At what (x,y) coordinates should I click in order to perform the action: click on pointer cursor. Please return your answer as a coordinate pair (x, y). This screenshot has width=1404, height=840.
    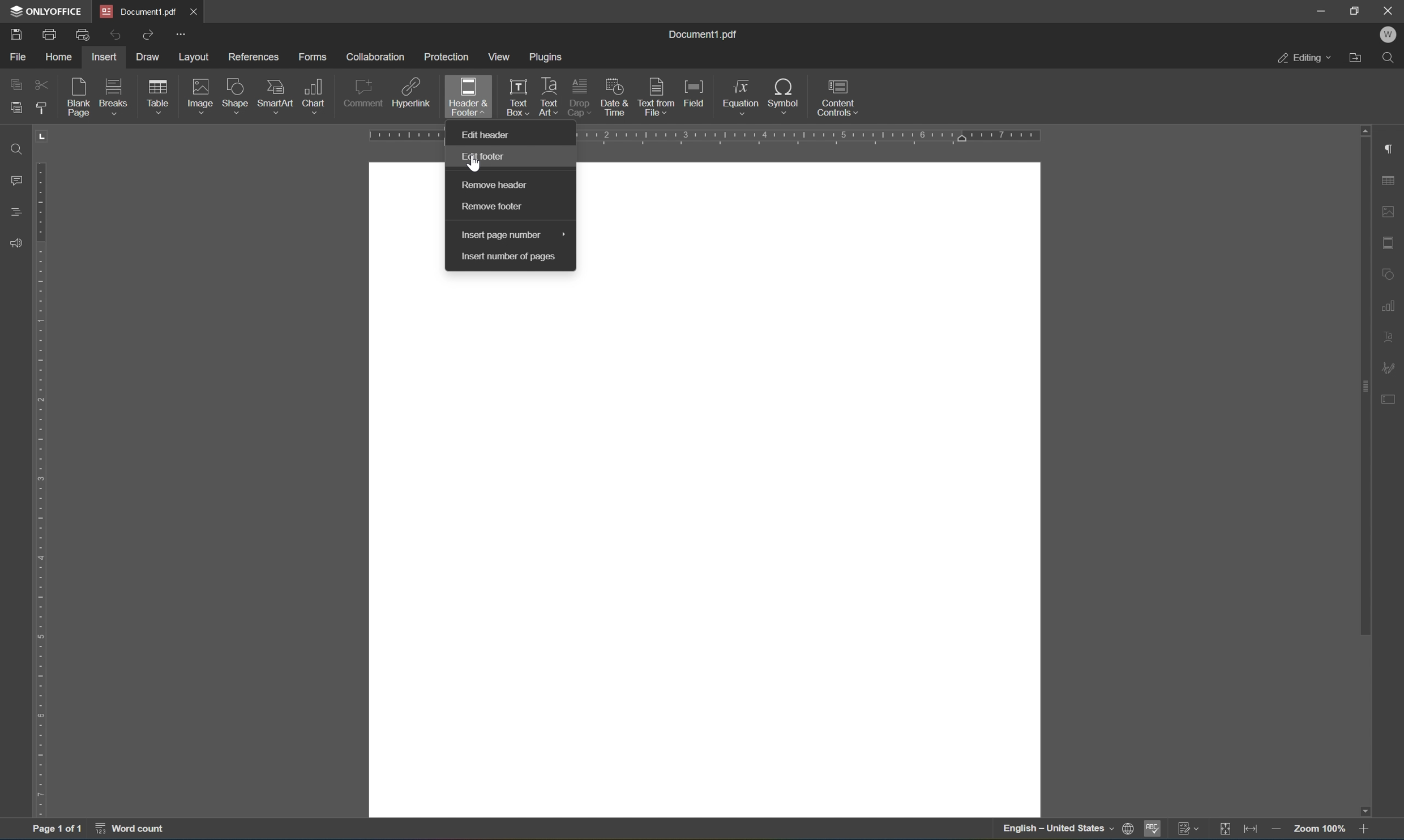
    Looking at the image, I should click on (478, 167).